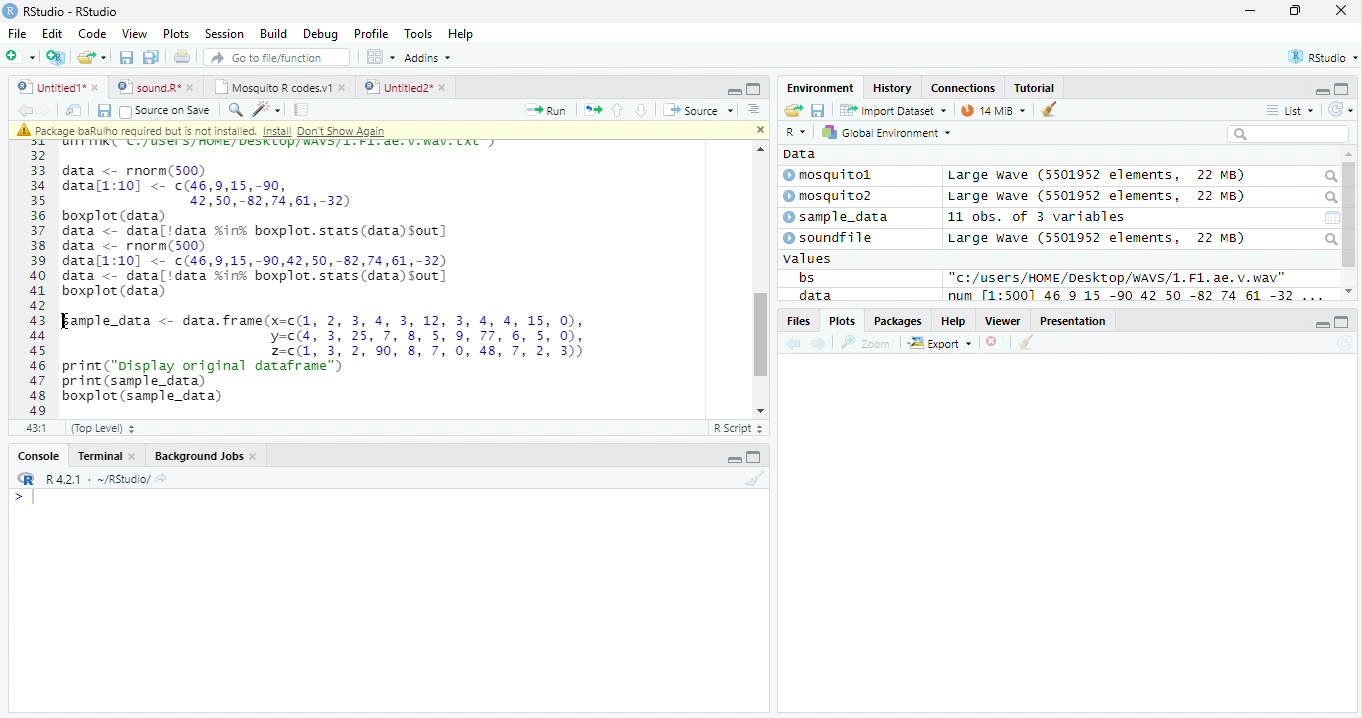 The height and width of the screenshot is (718, 1362). What do you see at coordinates (884, 131) in the screenshot?
I see `Global Environment` at bounding box center [884, 131].